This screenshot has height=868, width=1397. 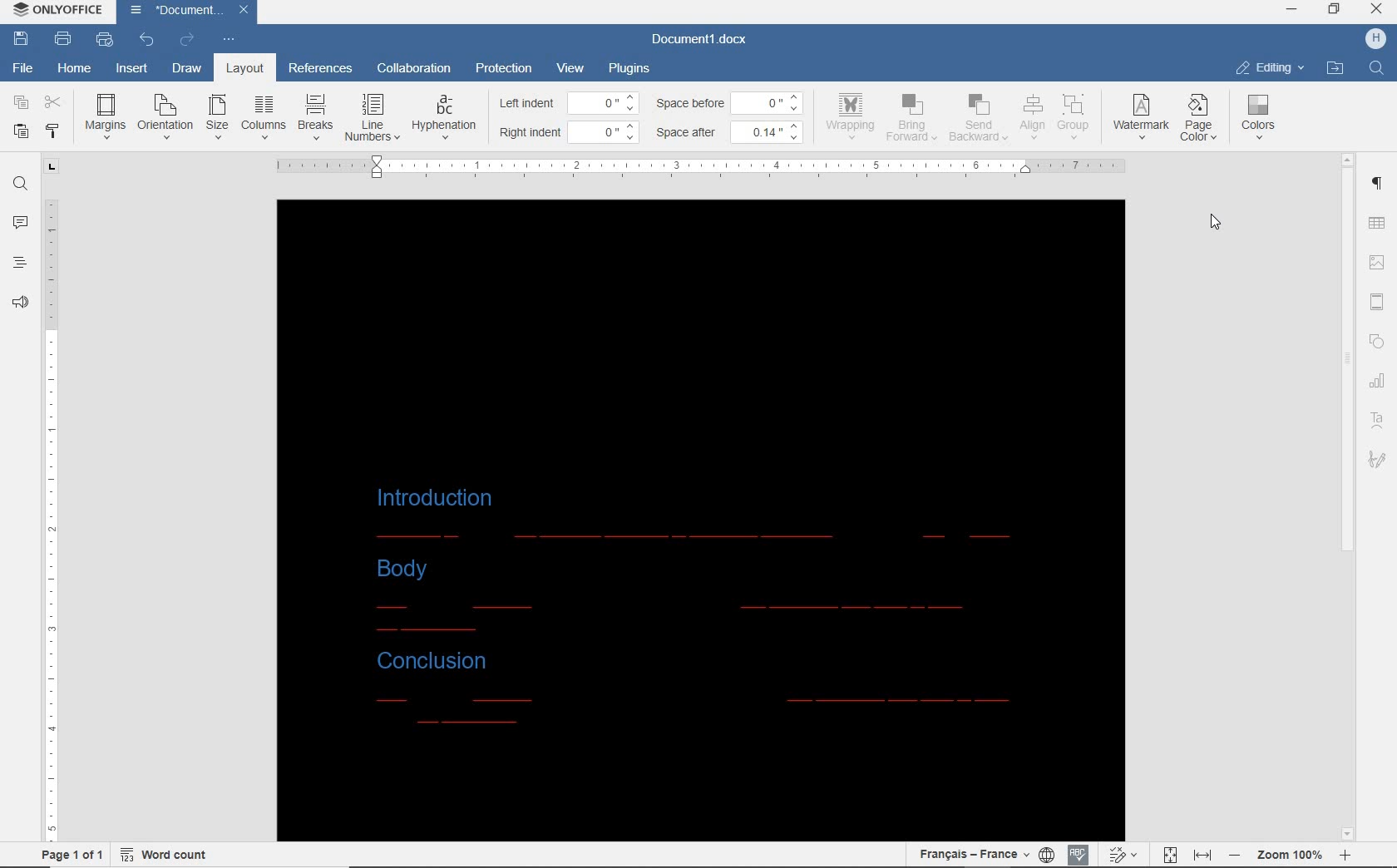 I want to click on undo, so click(x=147, y=40).